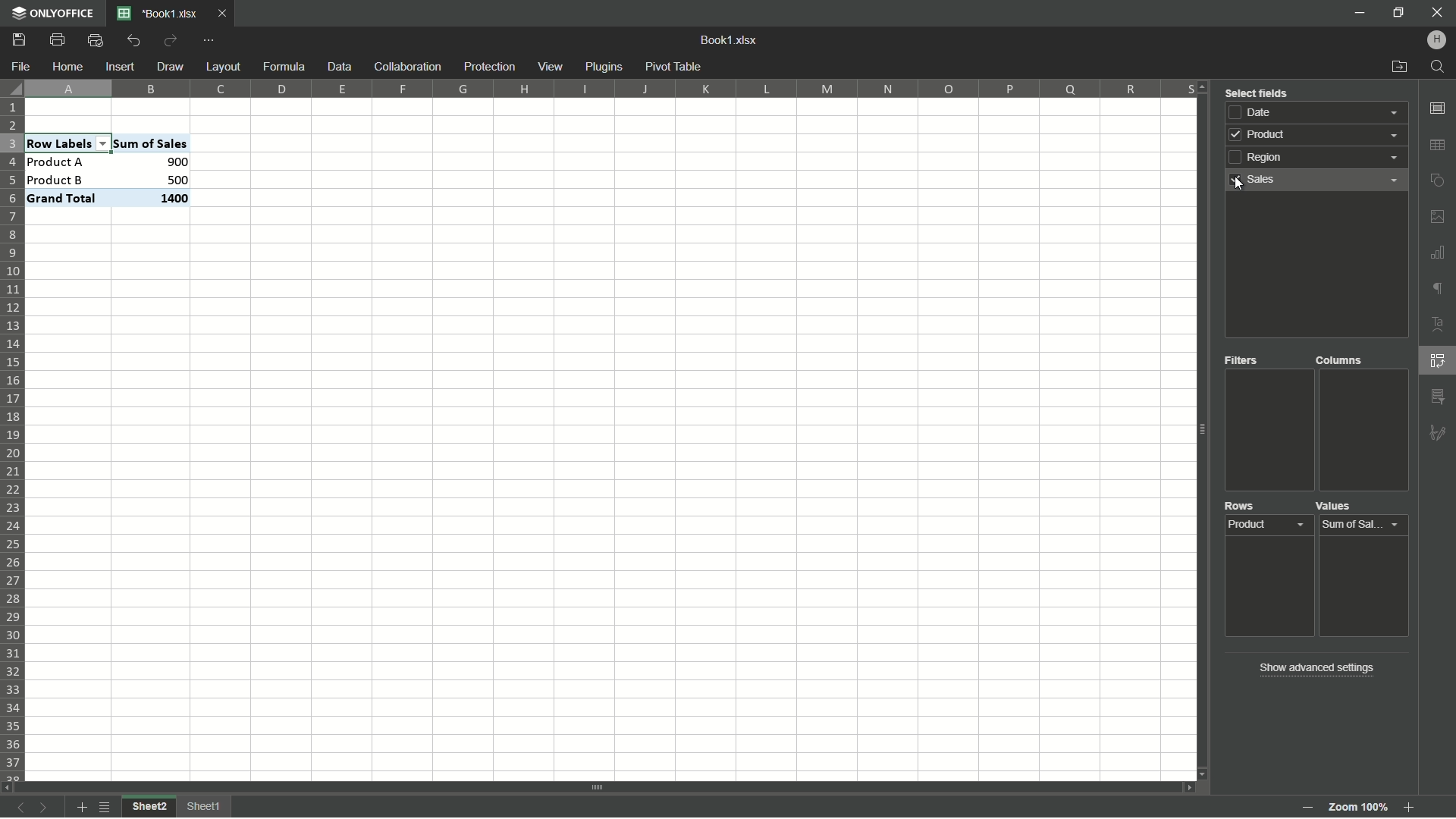 The image size is (1456, 819). I want to click on Undo, so click(135, 40).